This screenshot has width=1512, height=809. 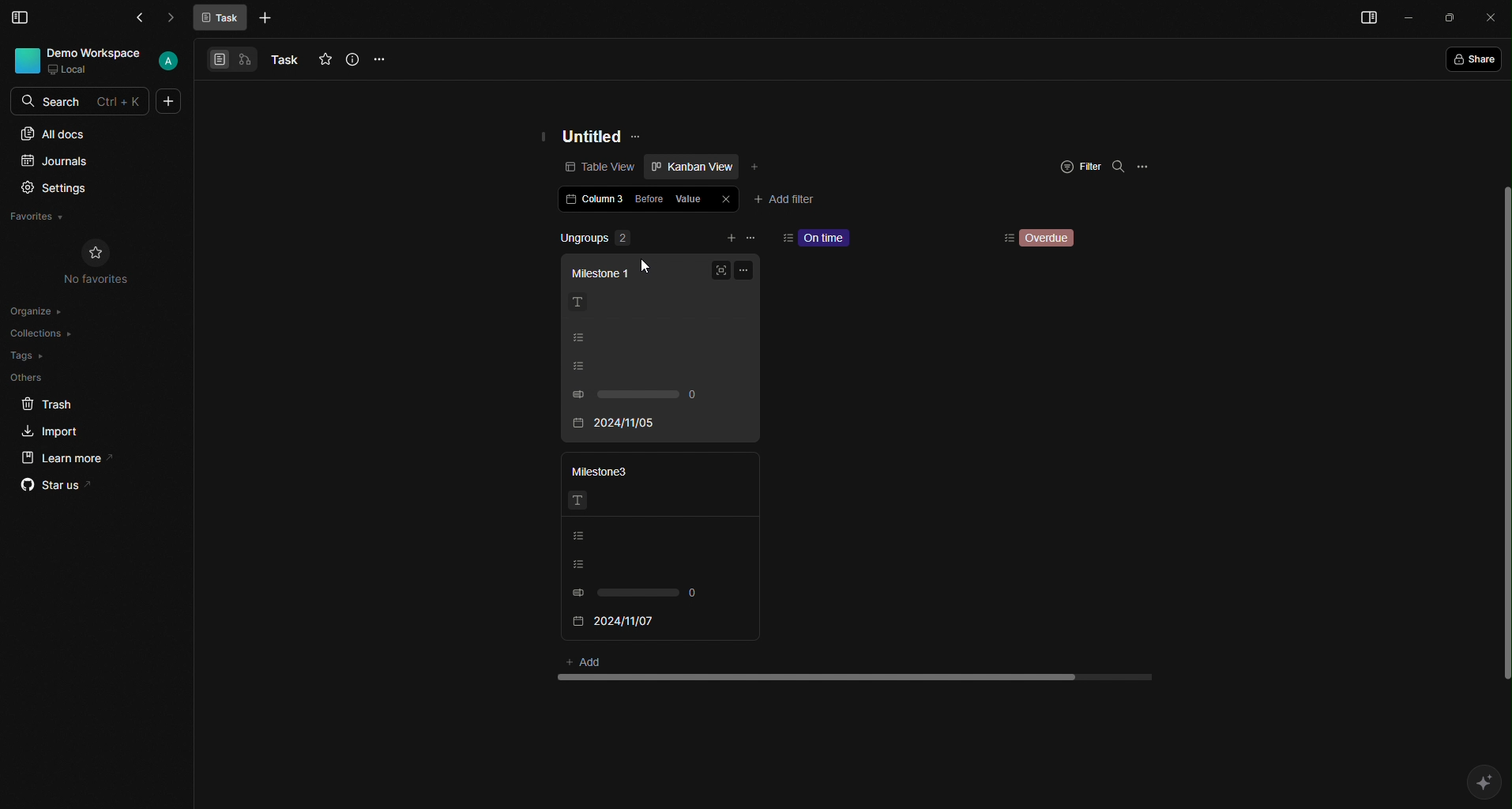 I want to click on Favourites, so click(x=325, y=58).